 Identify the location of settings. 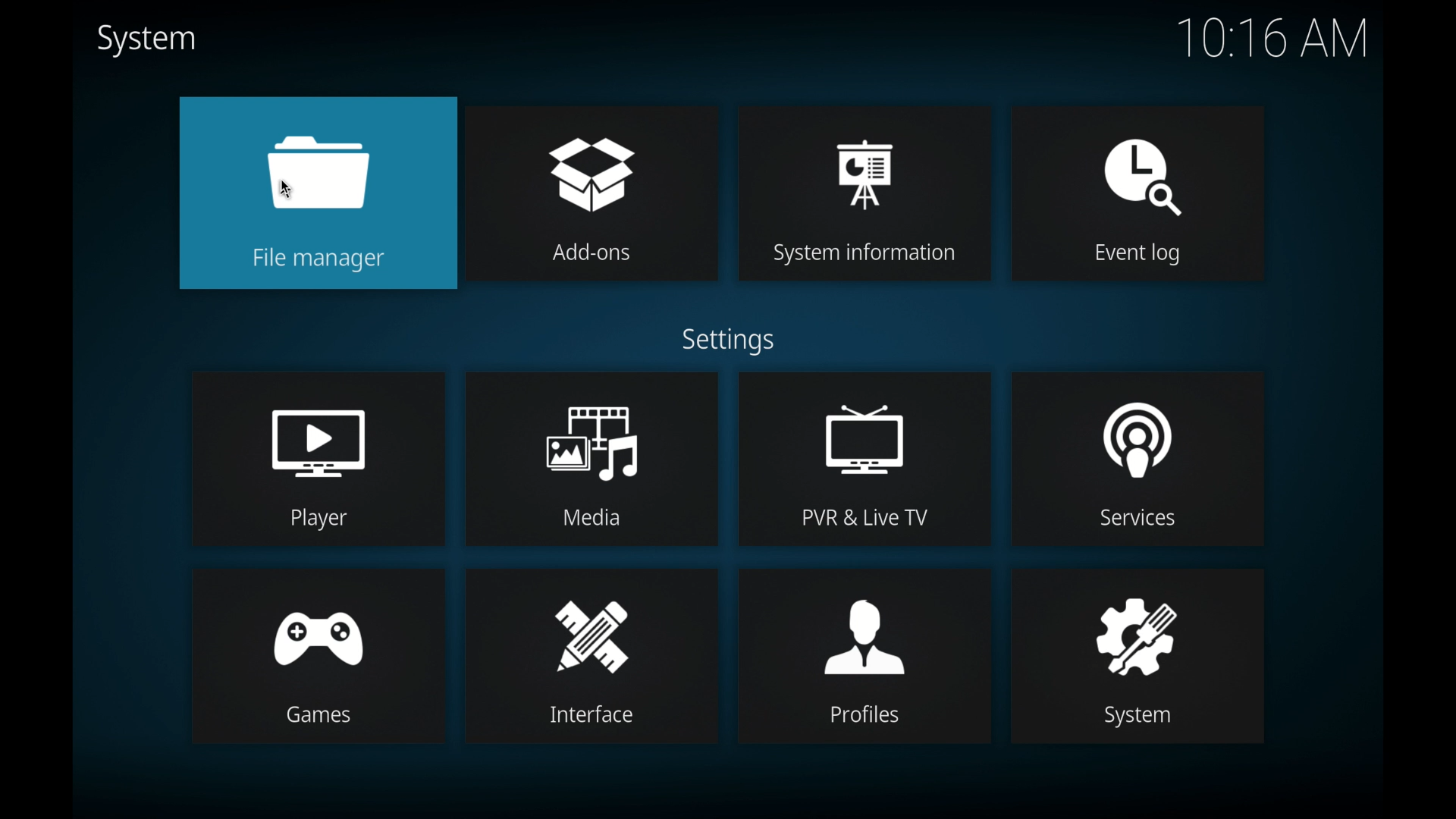
(731, 342).